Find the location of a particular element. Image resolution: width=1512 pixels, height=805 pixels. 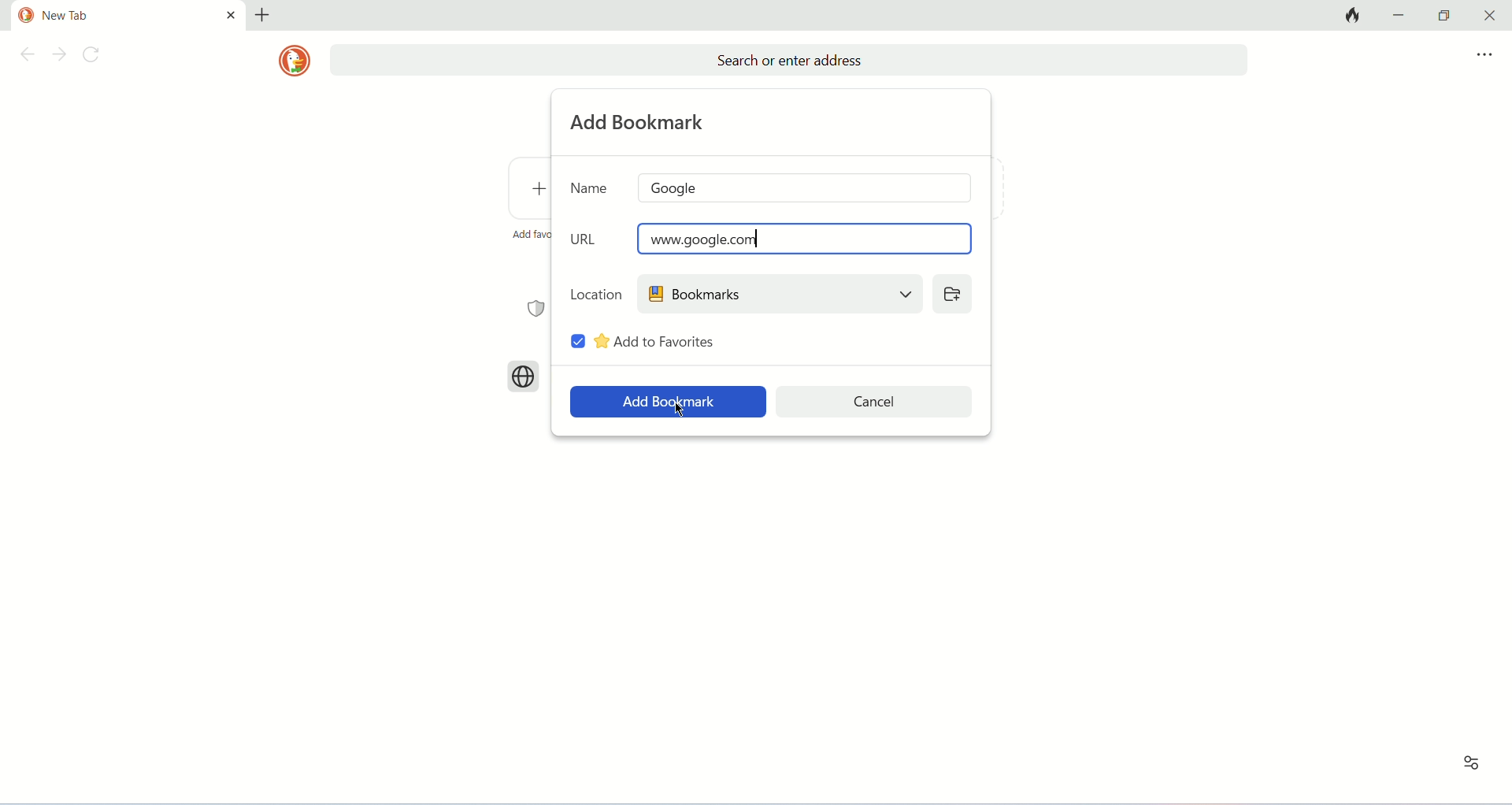

google is located at coordinates (806, 187).